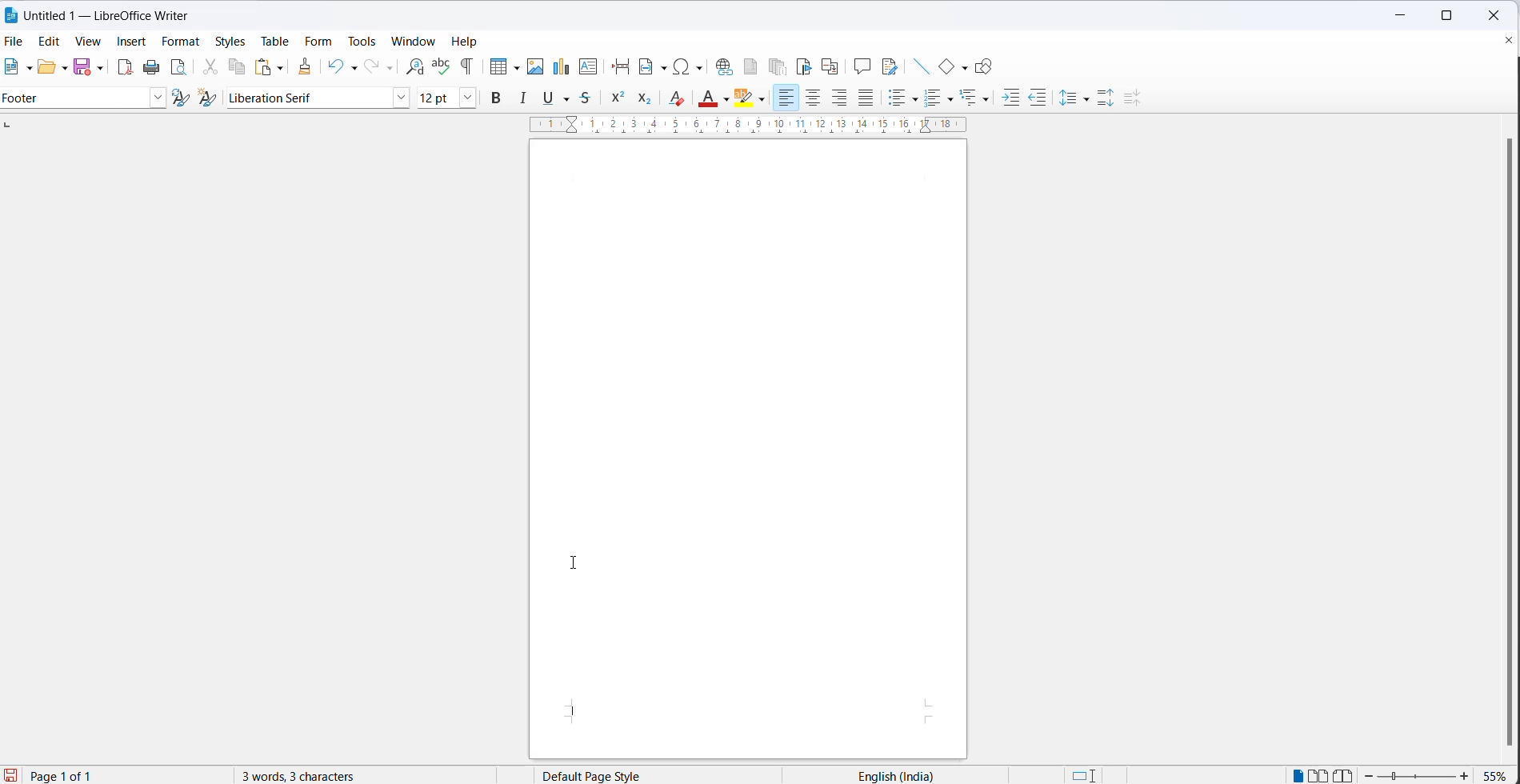 This screenshot has height=784, width=1520. What do you see at coordinates (690, 66) in the screenshot?
I see `insert special characters` at bounding box center [690, 66].